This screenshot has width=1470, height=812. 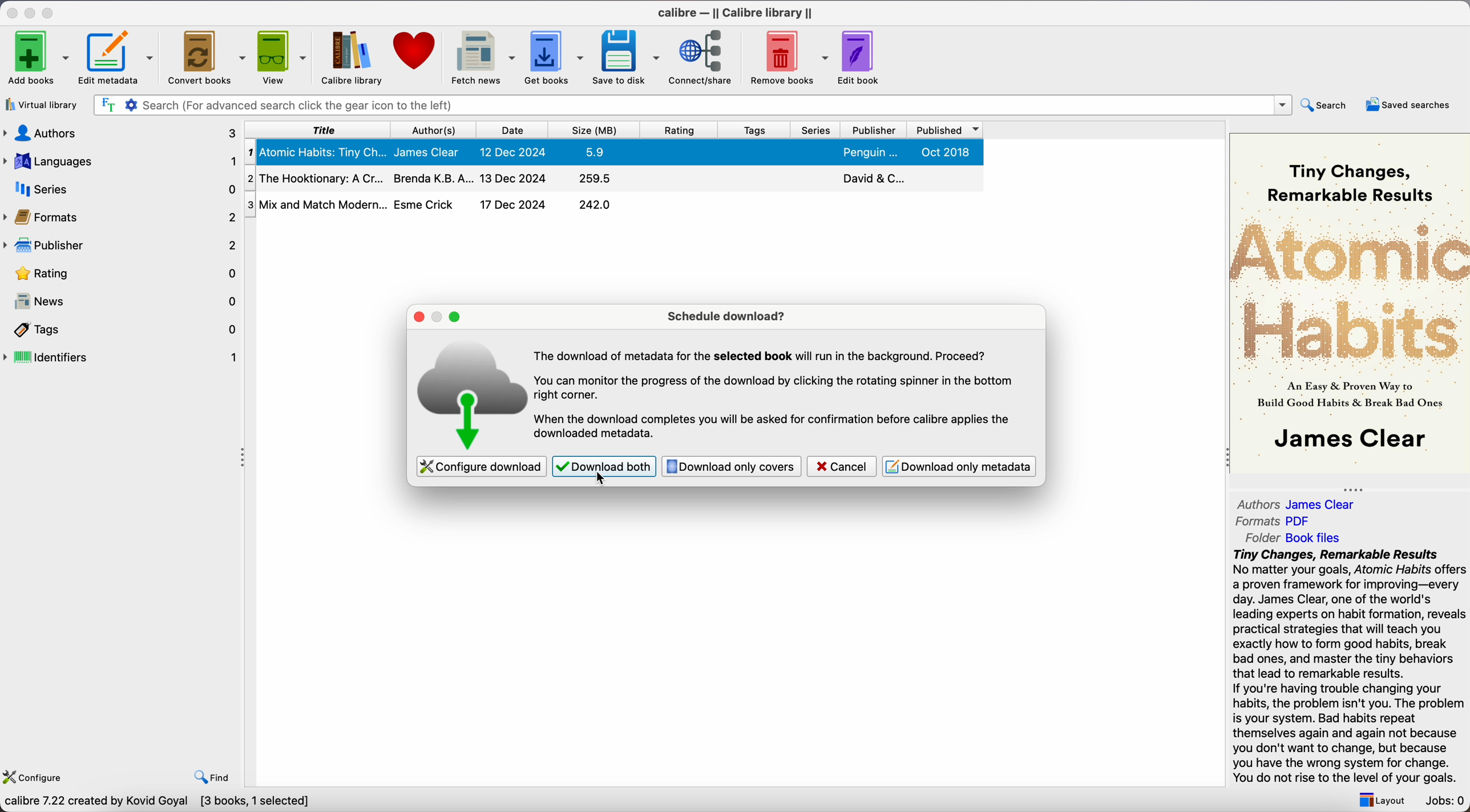 I want to click on publisher, so click(x=119, y=246).